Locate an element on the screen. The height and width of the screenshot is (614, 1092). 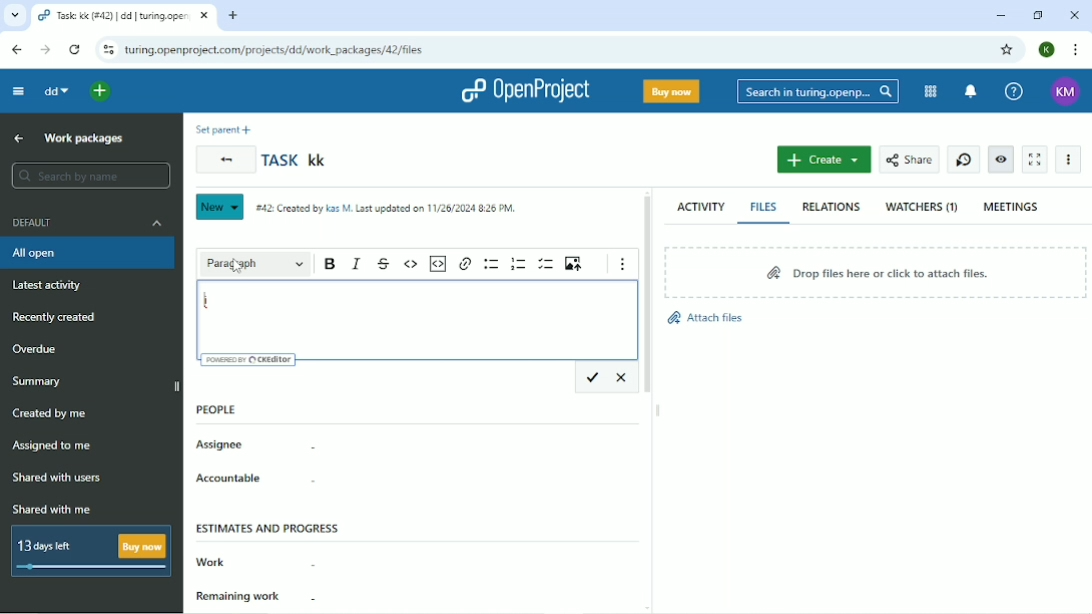
New tab is located at coordinates (234, 15).